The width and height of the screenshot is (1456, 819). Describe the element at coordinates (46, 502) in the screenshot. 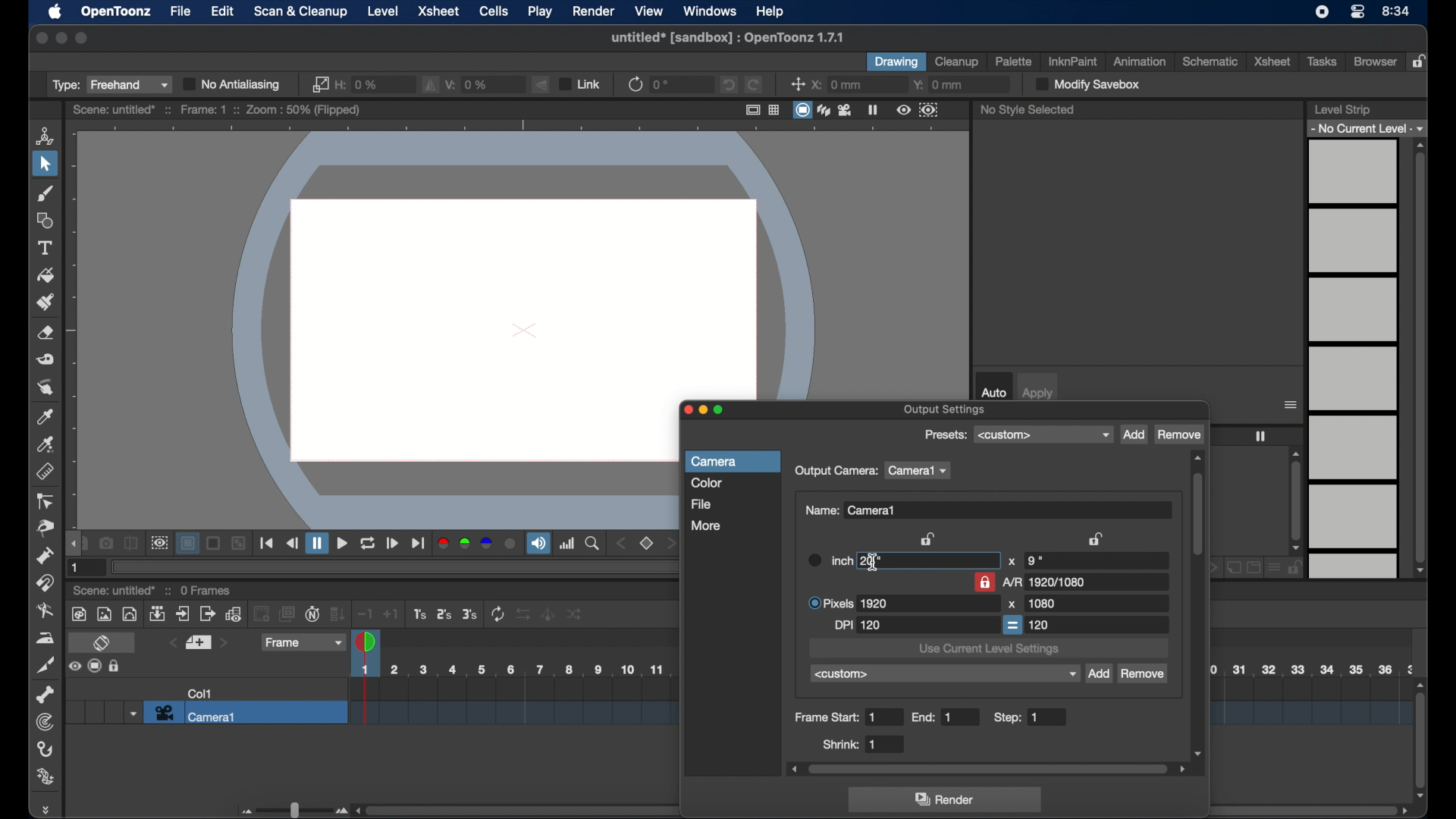

I see `control point editor tool` at that location.